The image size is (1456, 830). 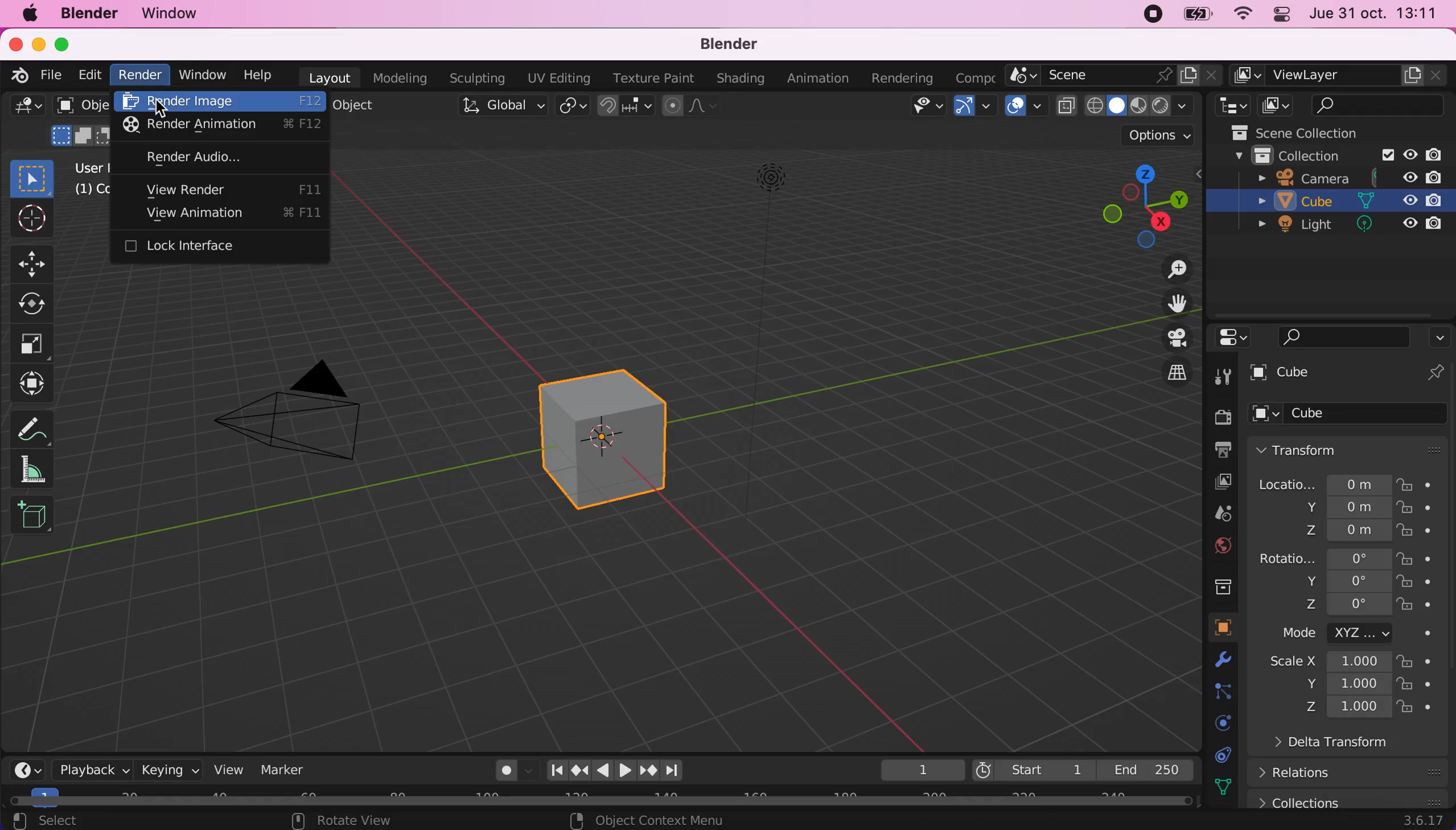 What do you see at coordinates (1417, 558) in the screenshot?
I see `lock` at bounding box center [1417, 558].